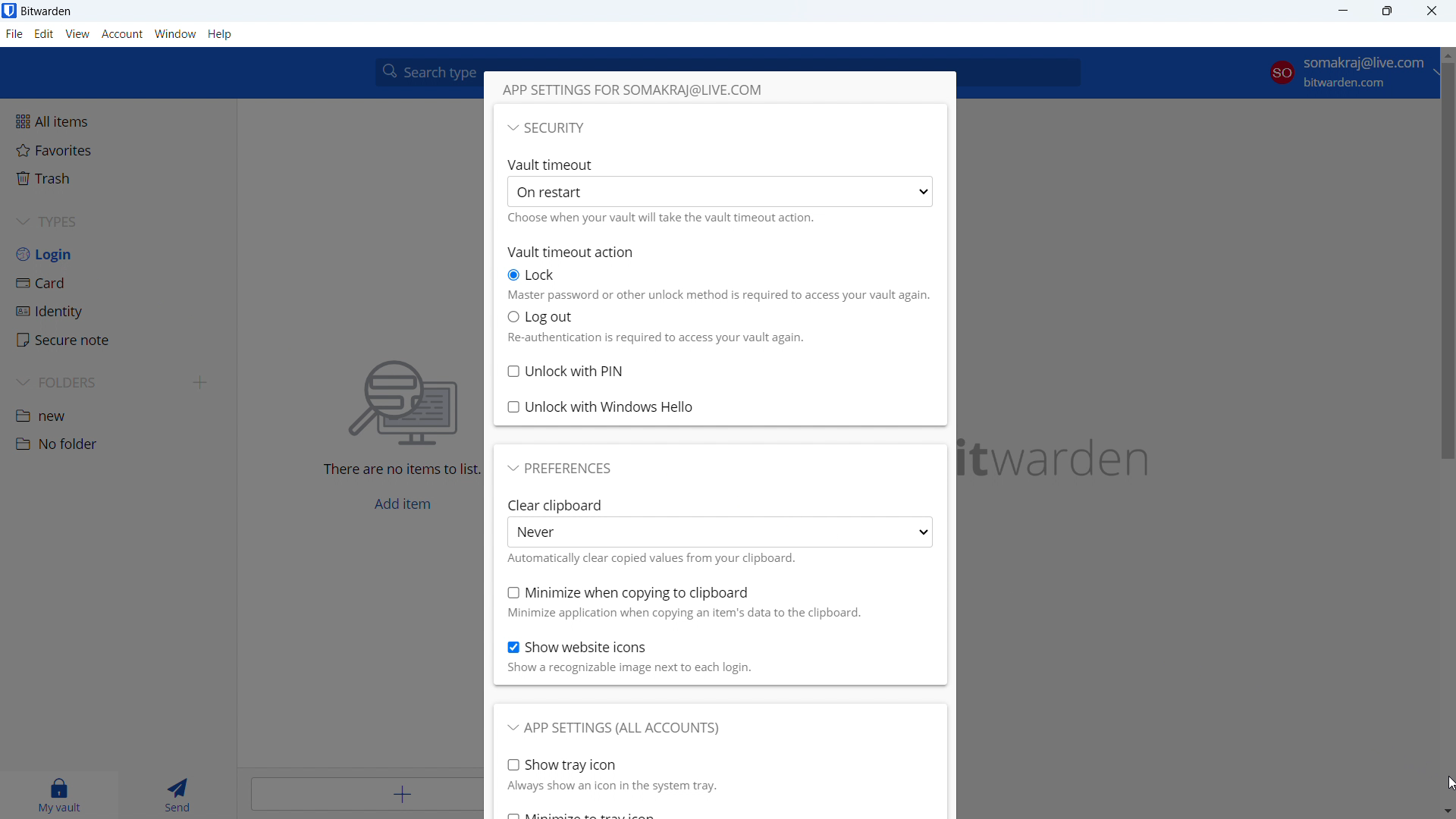 The width and height of the screenshot is (1456, 819). I want to click on send, so click(174, 795).